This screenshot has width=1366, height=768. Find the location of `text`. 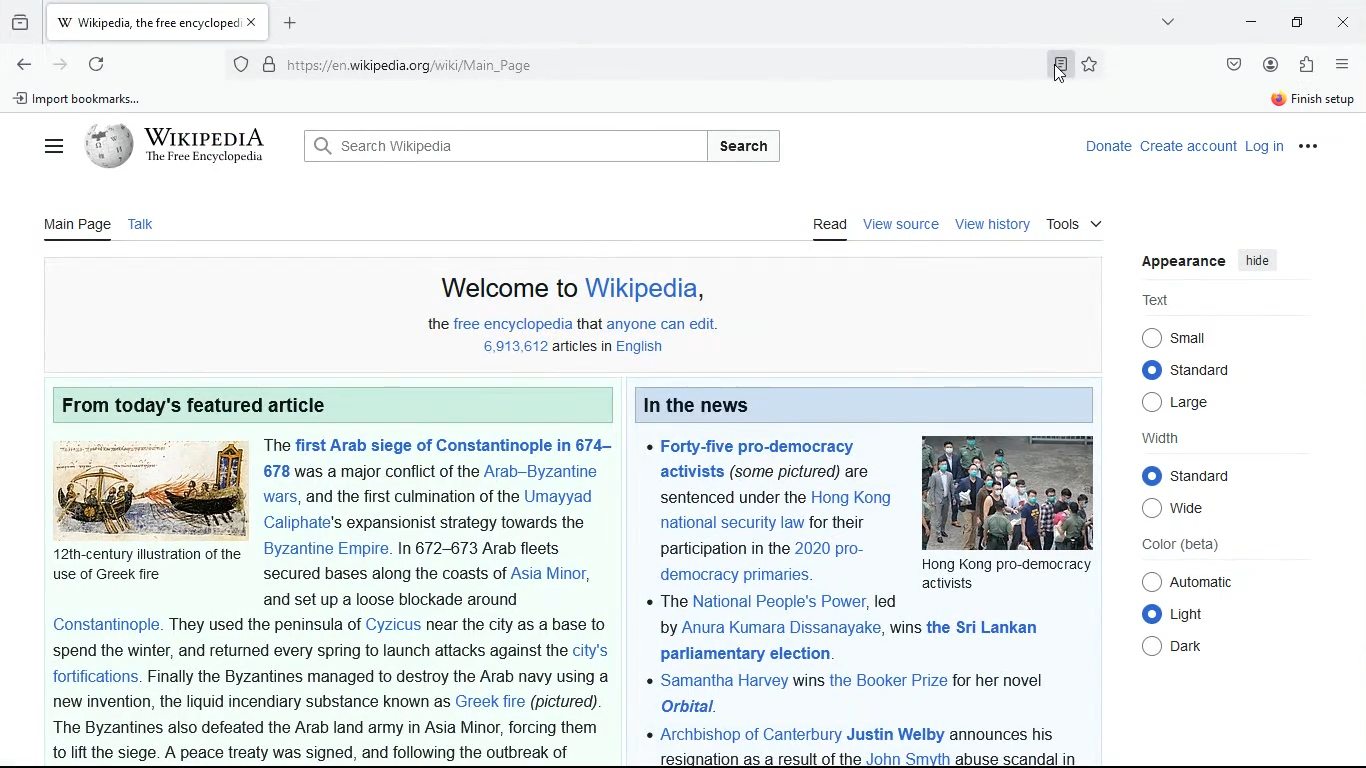

text is located at coordinates (867, 681).